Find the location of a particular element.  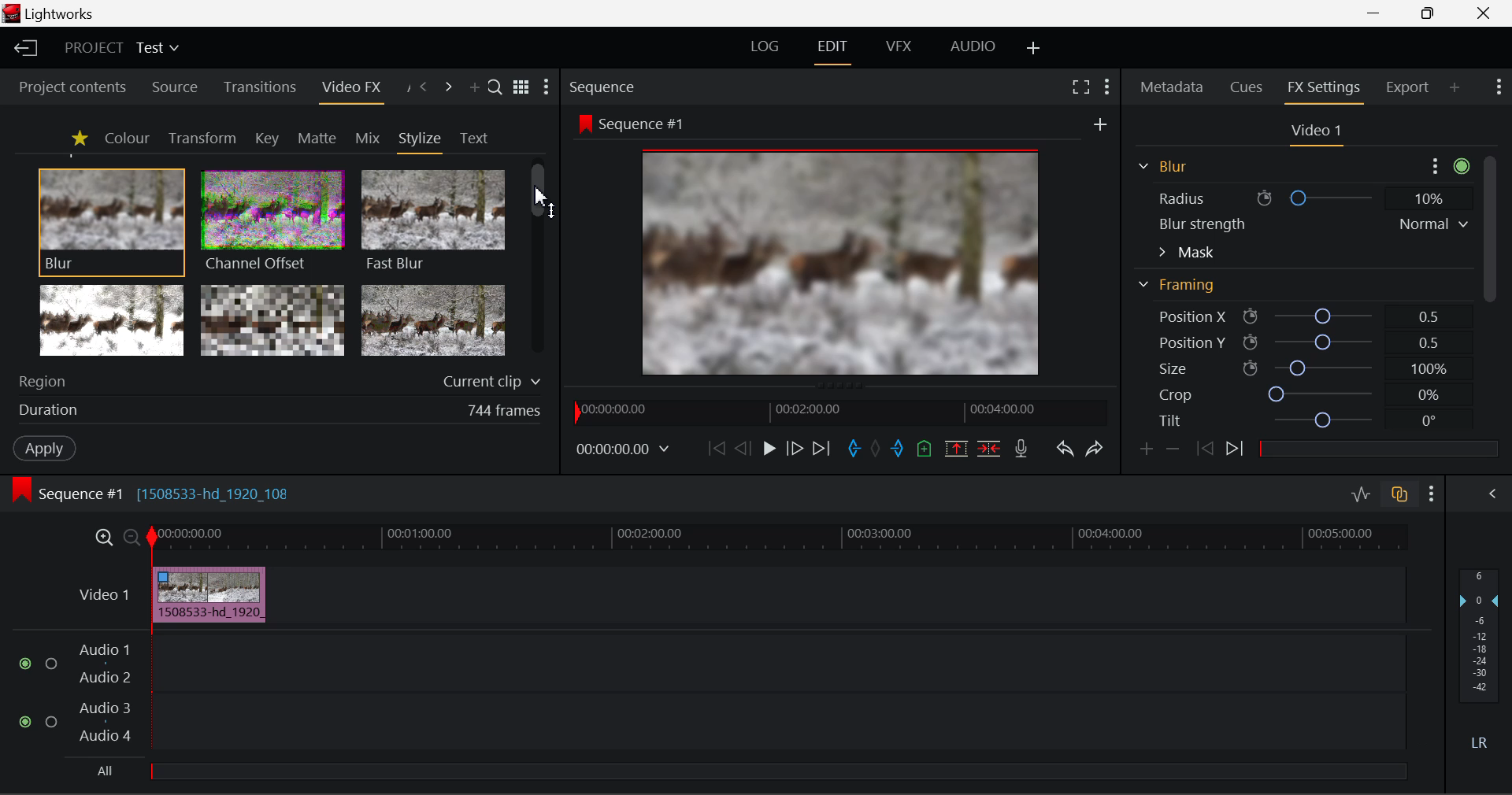

Tilt is located at coordinates (1299, 420).